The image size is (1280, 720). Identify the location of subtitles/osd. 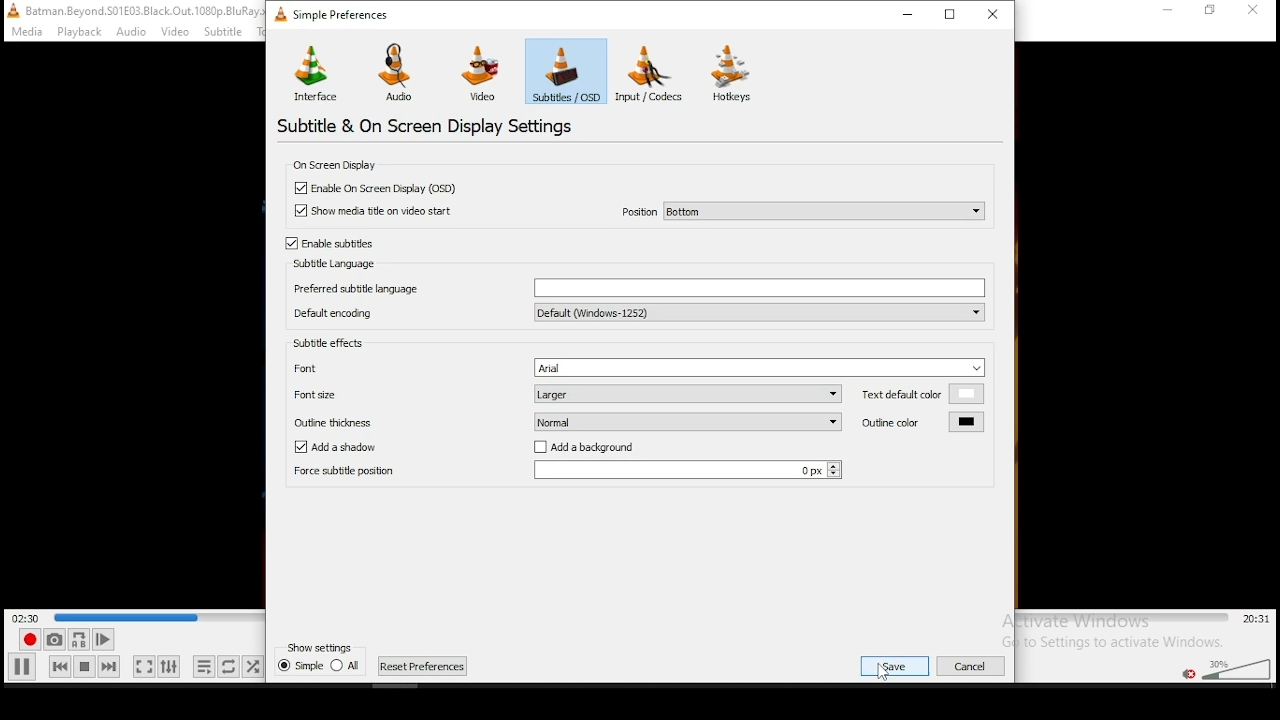
(566, 71).